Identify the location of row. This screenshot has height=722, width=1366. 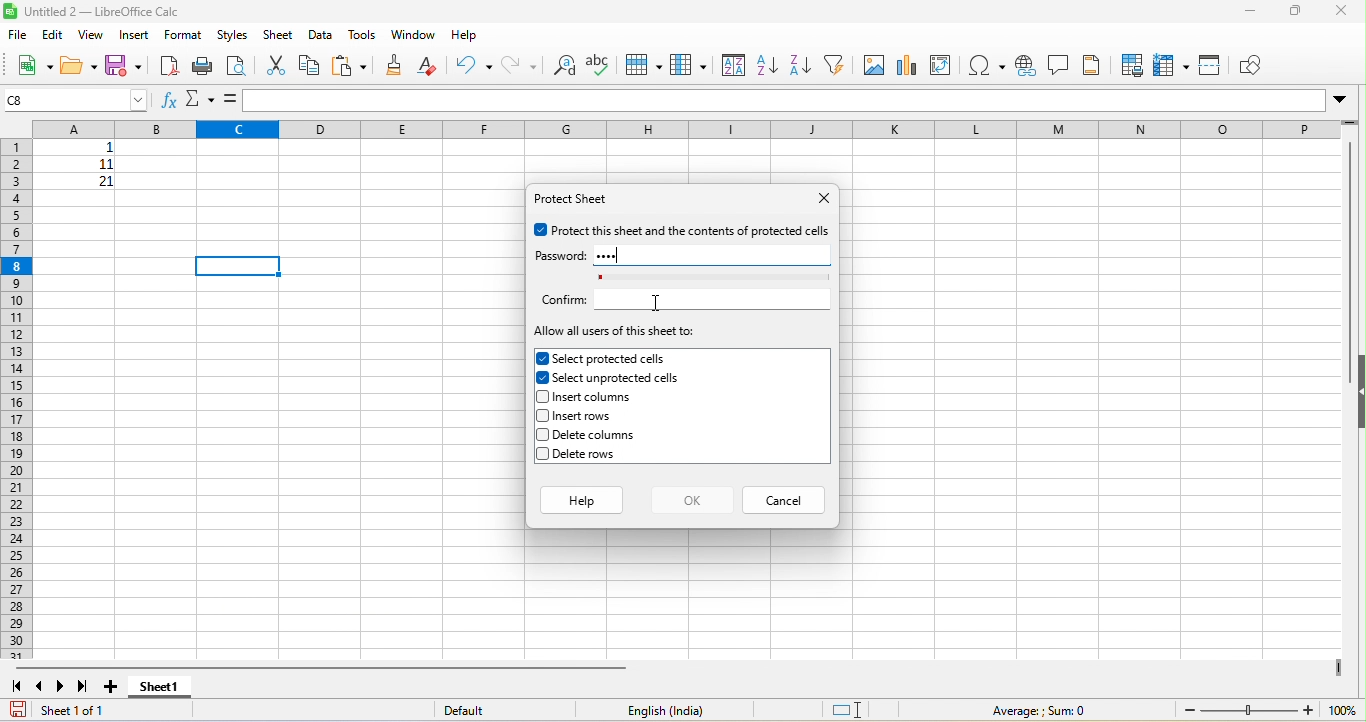
(642, 63).